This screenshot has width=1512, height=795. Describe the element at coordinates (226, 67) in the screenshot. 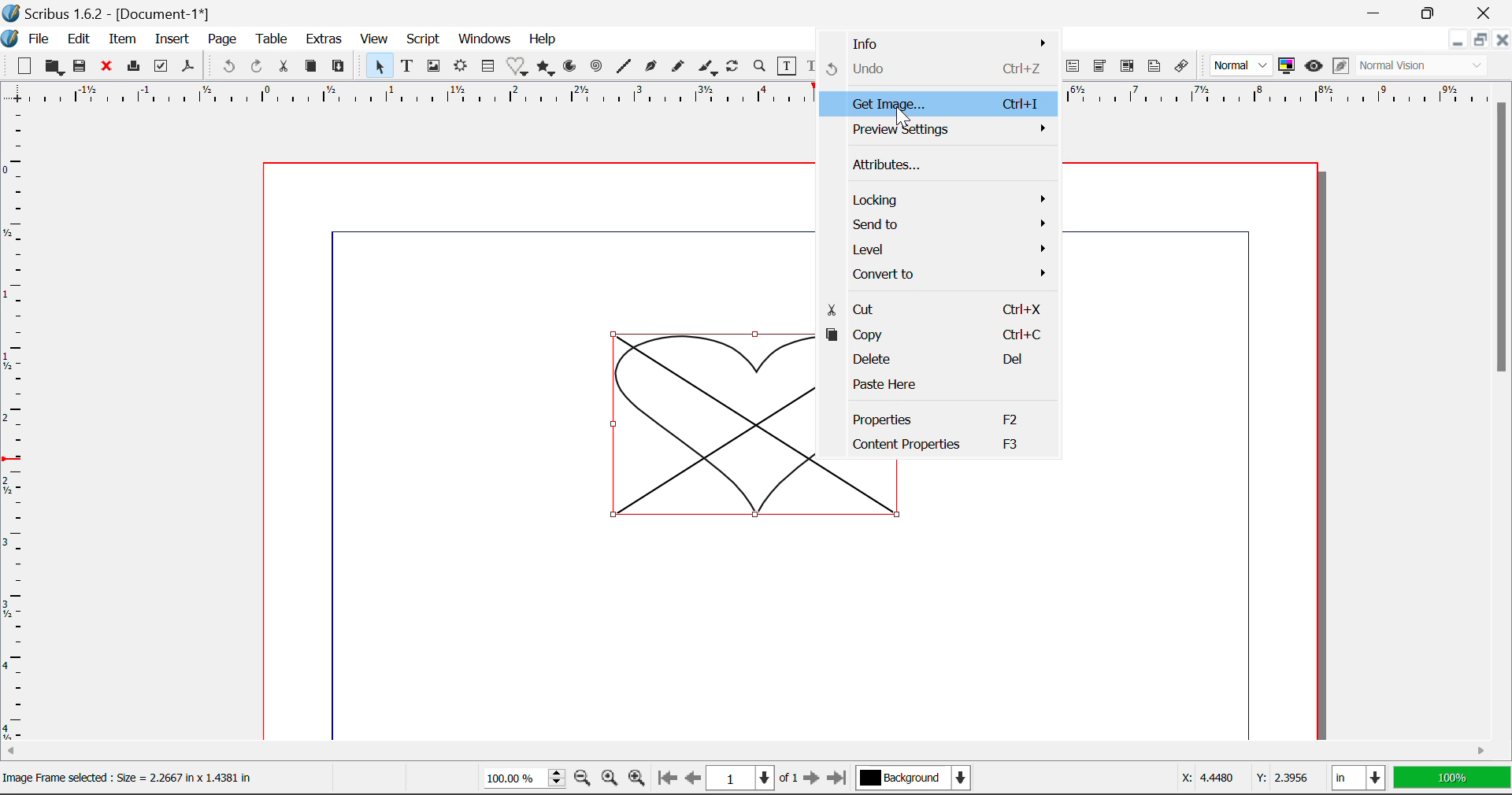

I see `Undo` at that location.